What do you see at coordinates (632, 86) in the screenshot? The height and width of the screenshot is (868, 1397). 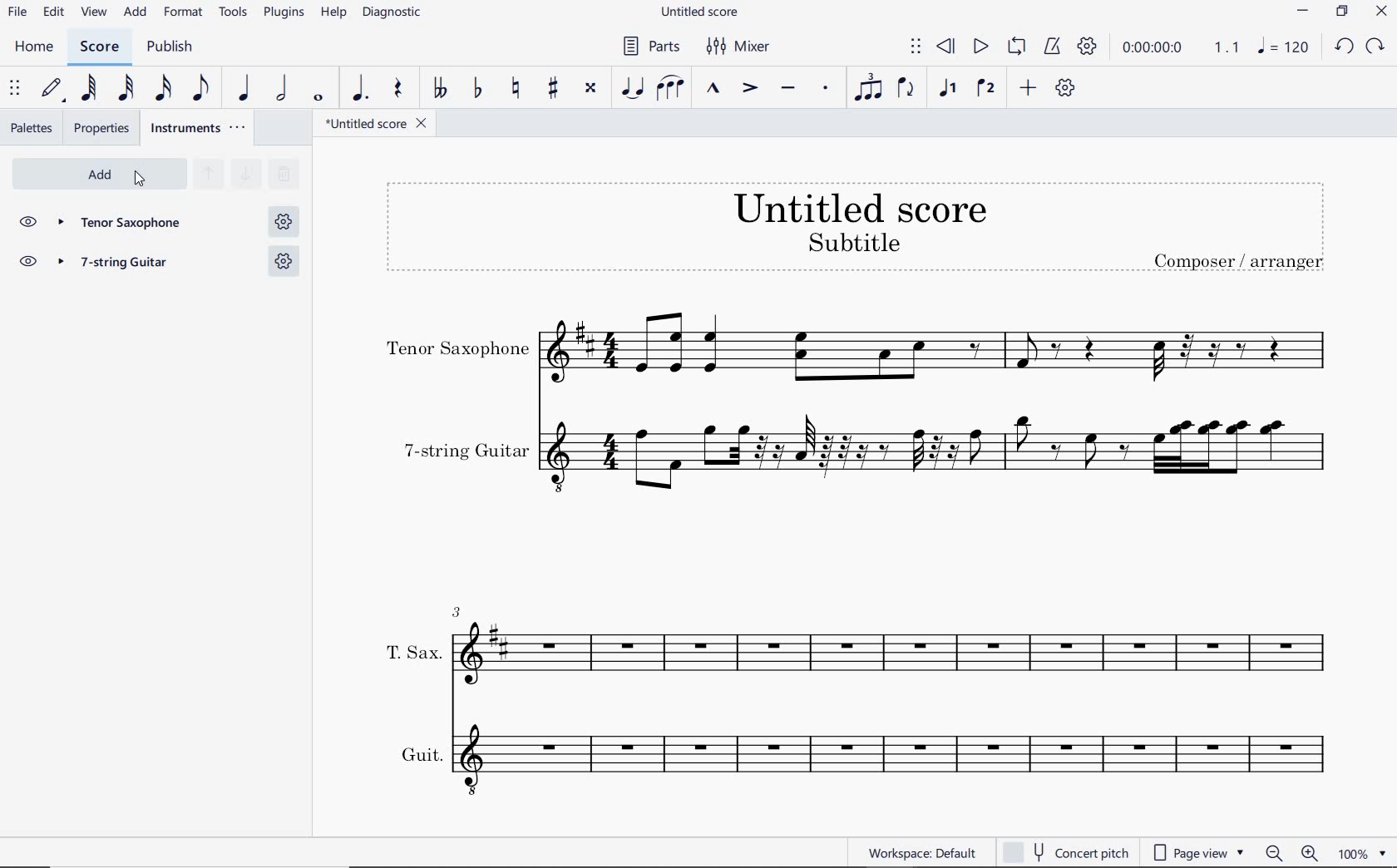 I see `TIE` at bounding box center [632, 86].